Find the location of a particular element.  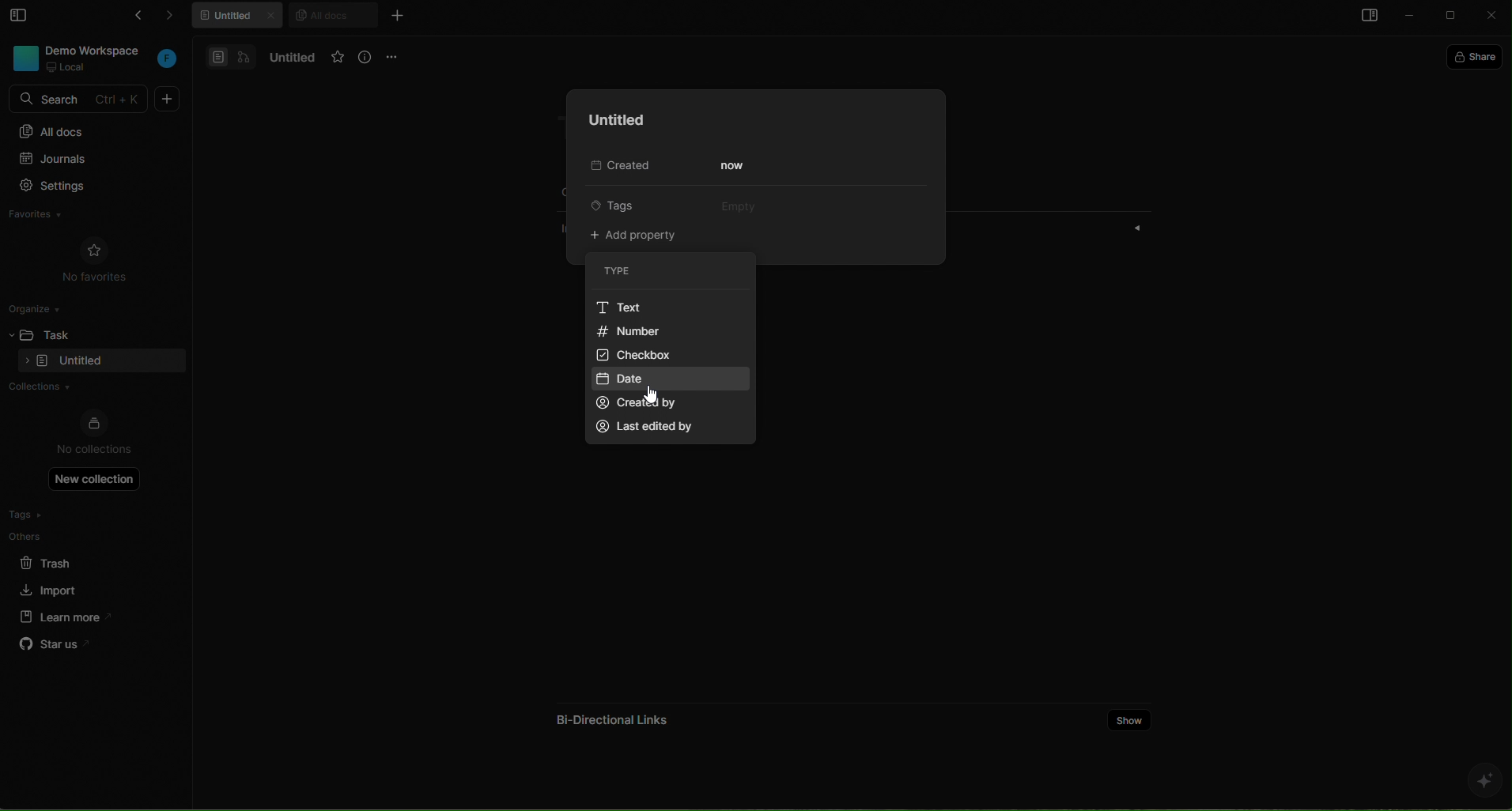

now is located at coordinates (735, 166).